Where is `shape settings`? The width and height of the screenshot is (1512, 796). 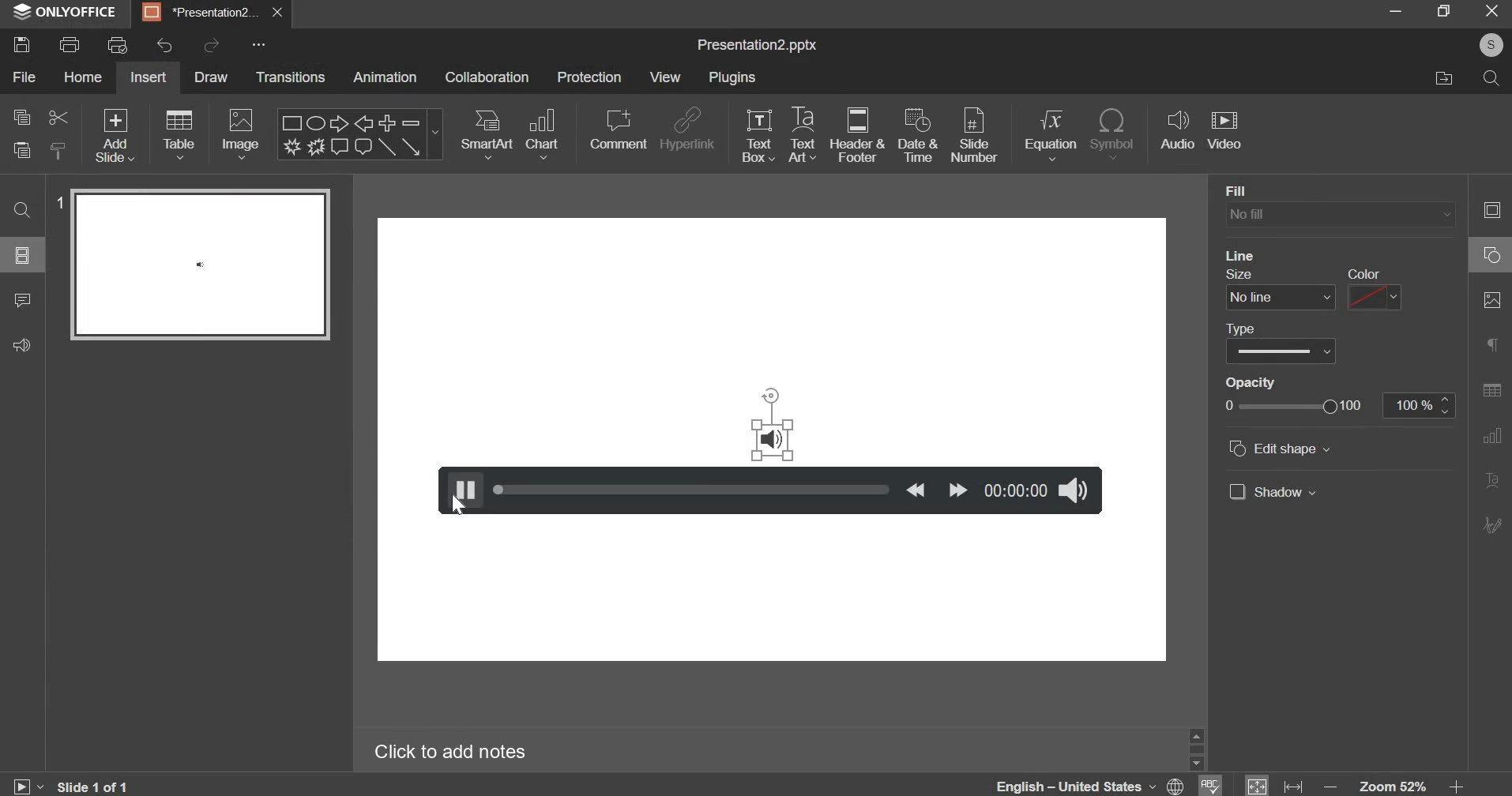 shape settings is located at coordinates (1491, 253).